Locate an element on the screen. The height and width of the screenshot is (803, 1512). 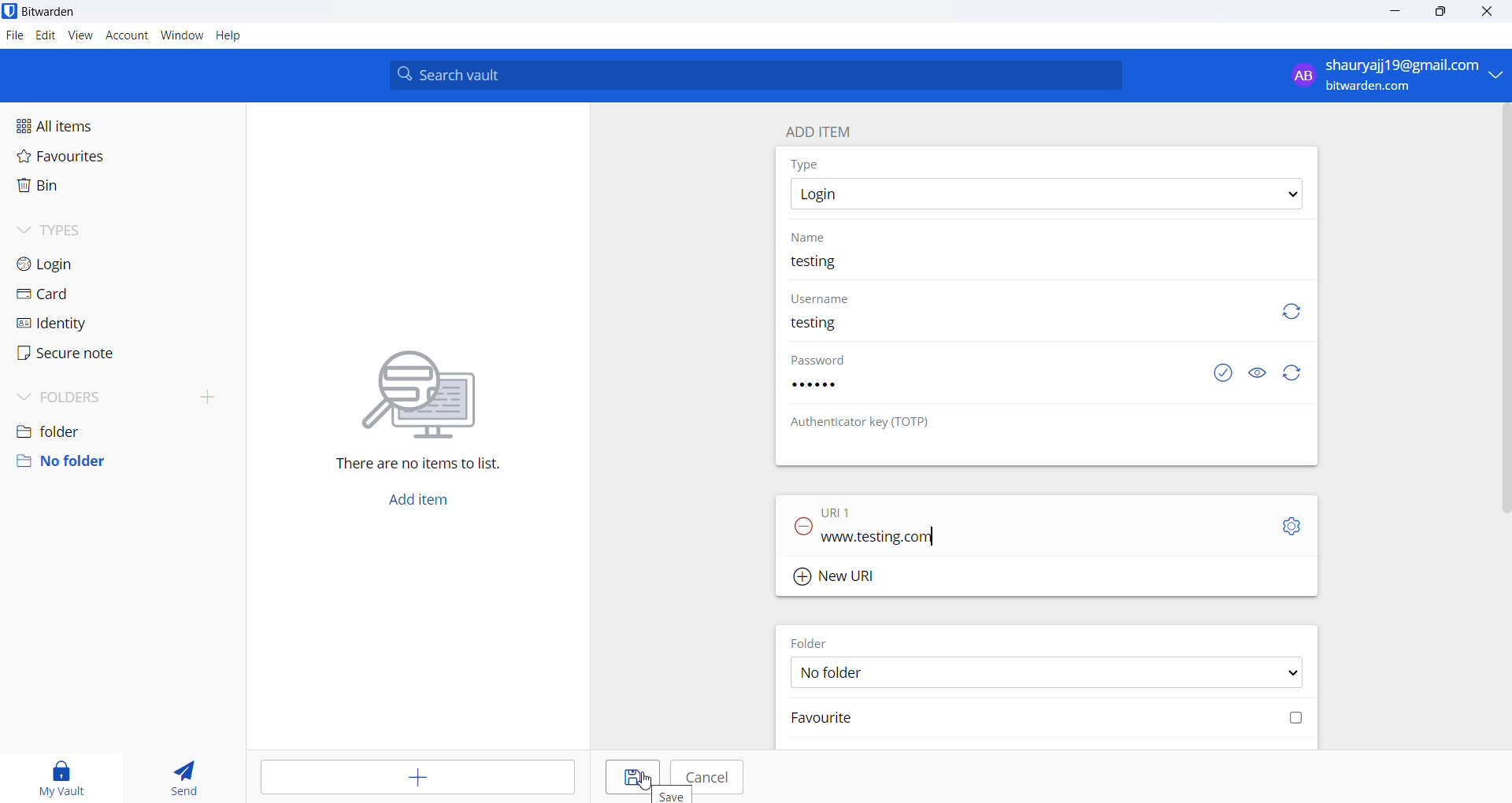
maximize is located at coordinates (1443, 13).